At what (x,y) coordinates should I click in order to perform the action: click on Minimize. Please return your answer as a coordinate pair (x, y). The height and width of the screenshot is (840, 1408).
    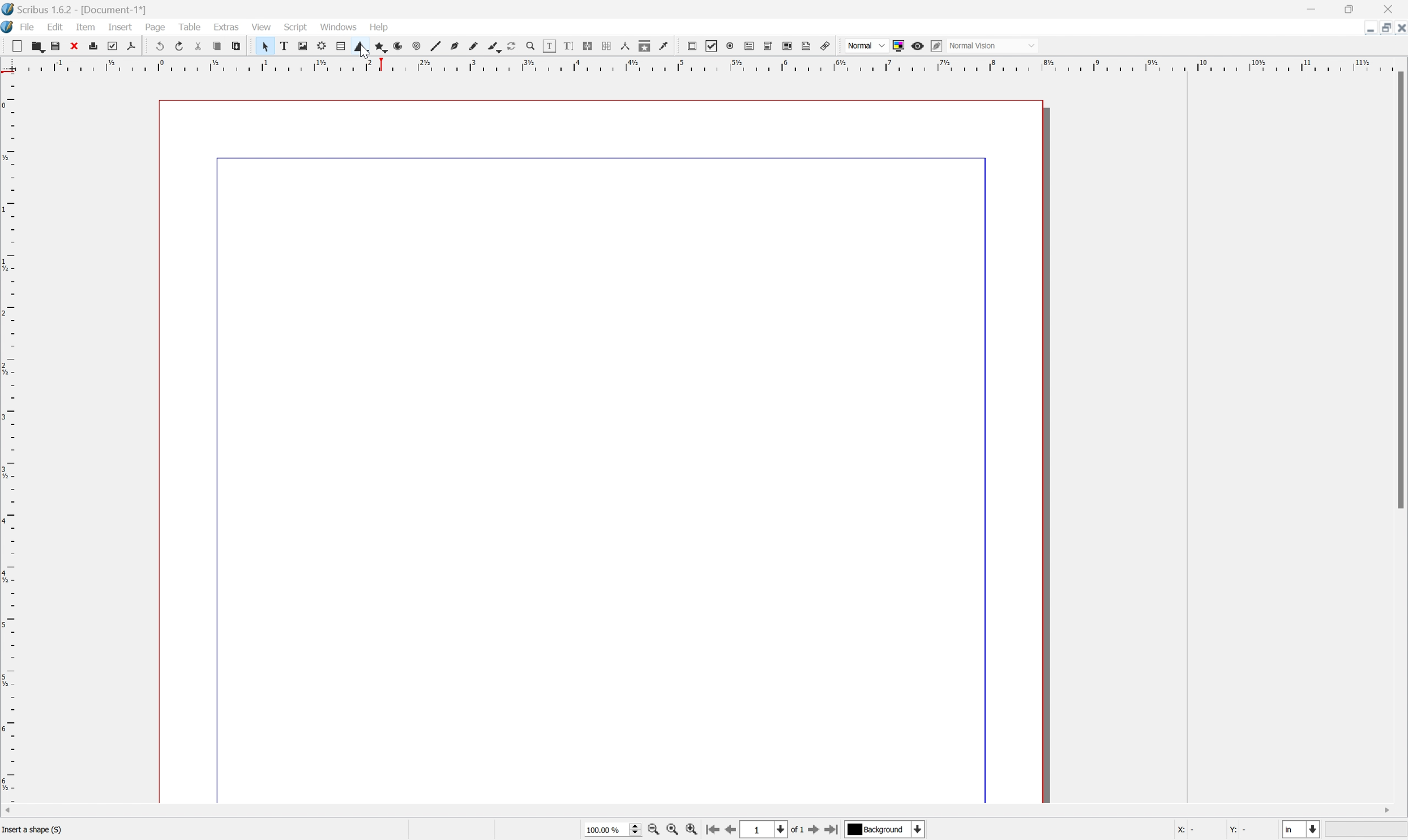
    Looking at the image, I should click on (1313, 7).